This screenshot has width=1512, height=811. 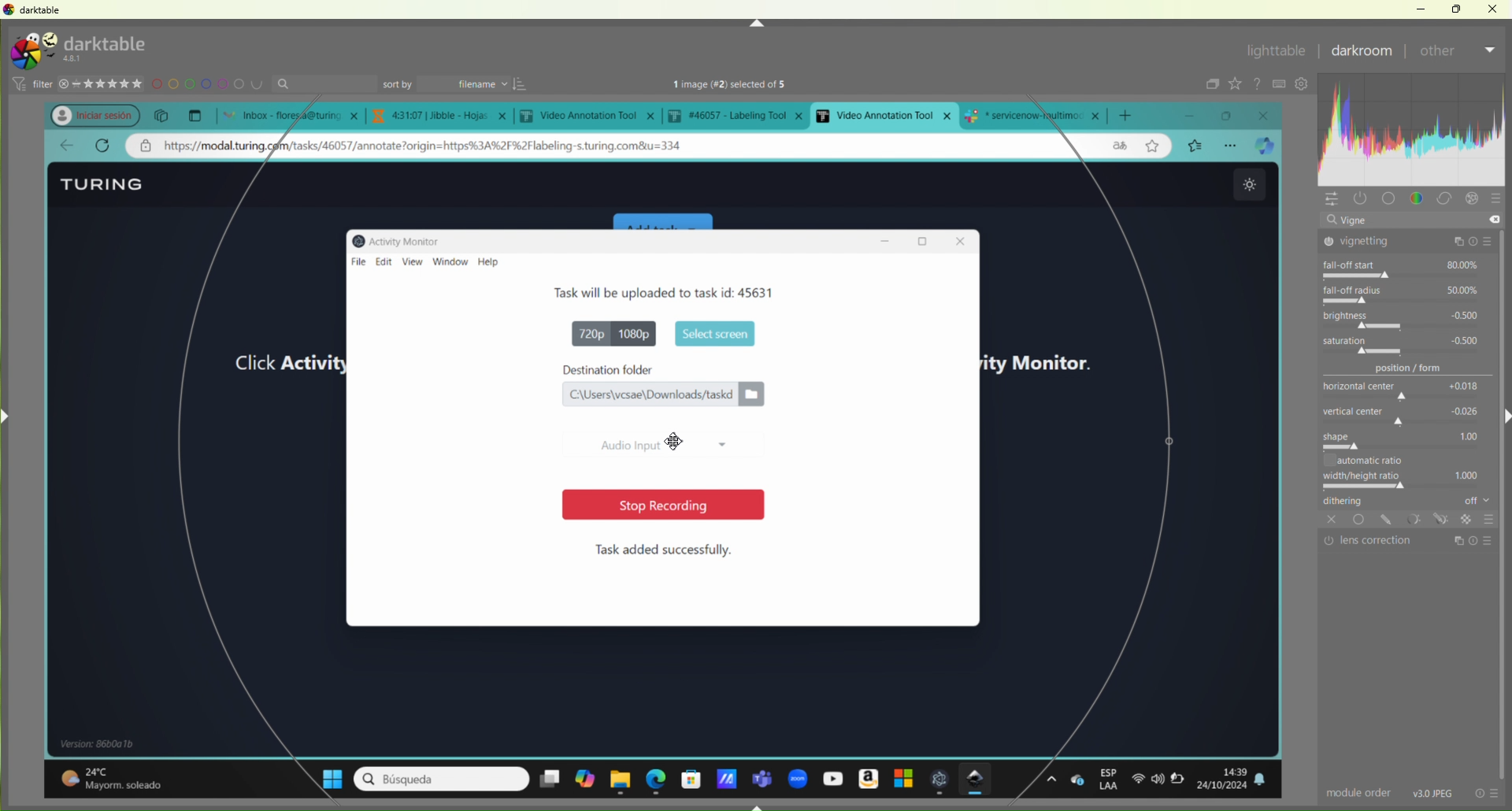 What do you see at coordinates (496, 261) in the screenshot?
I see `help` at bounding box center [496, 261].